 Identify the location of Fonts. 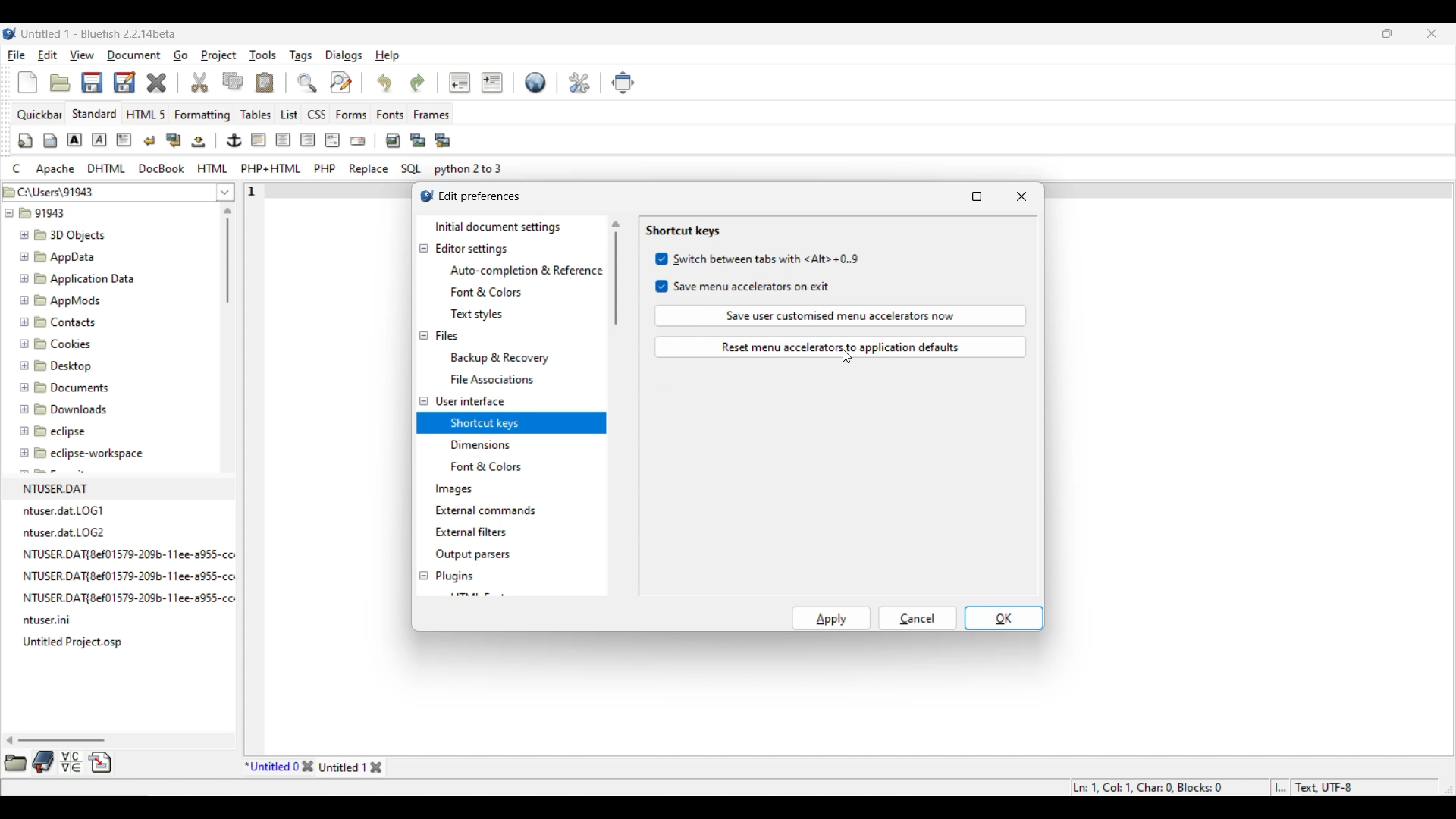
(391, 114).